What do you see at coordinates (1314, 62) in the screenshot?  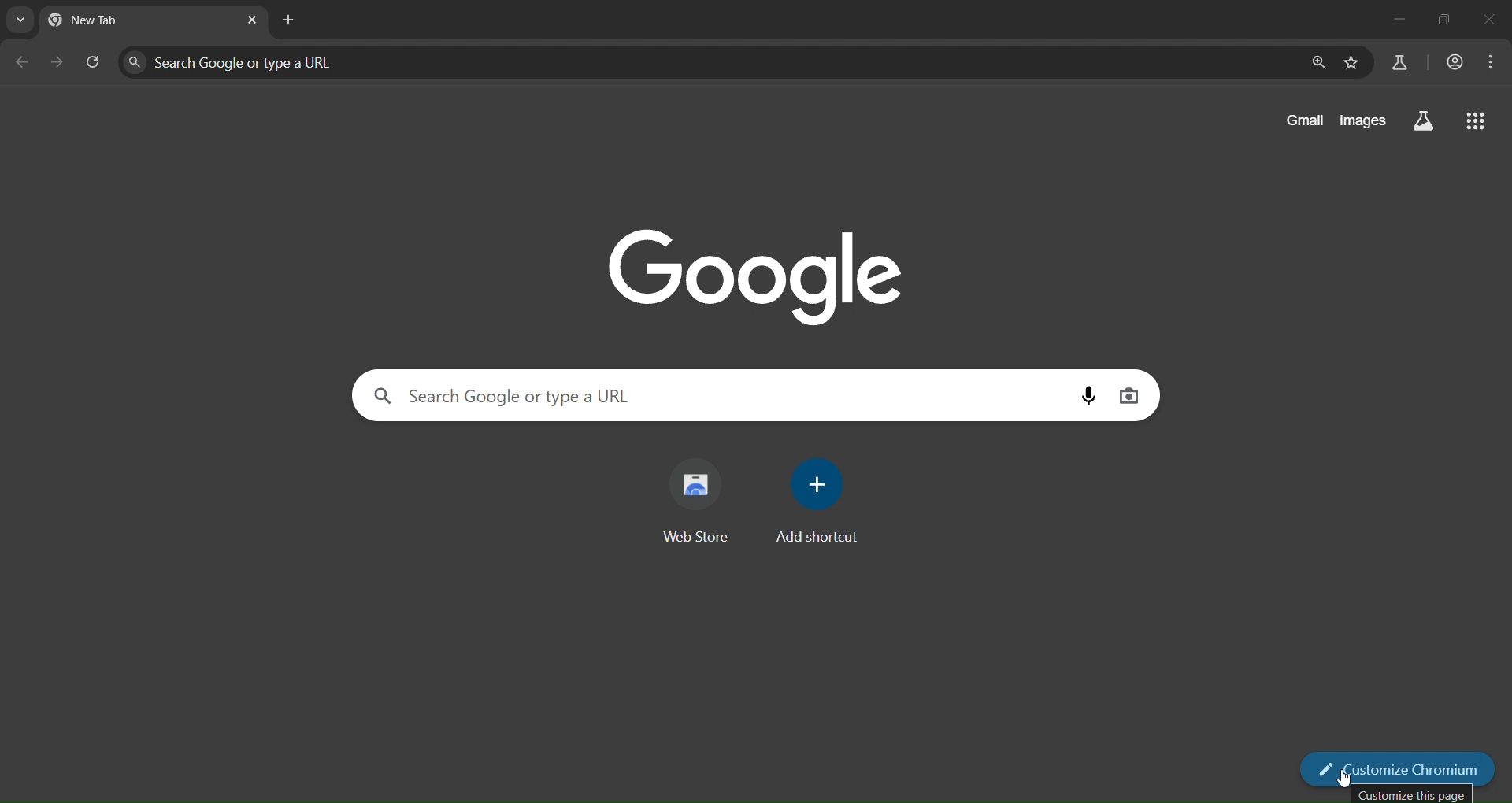 I see `zoom ` at bounding box center [1314, 62].